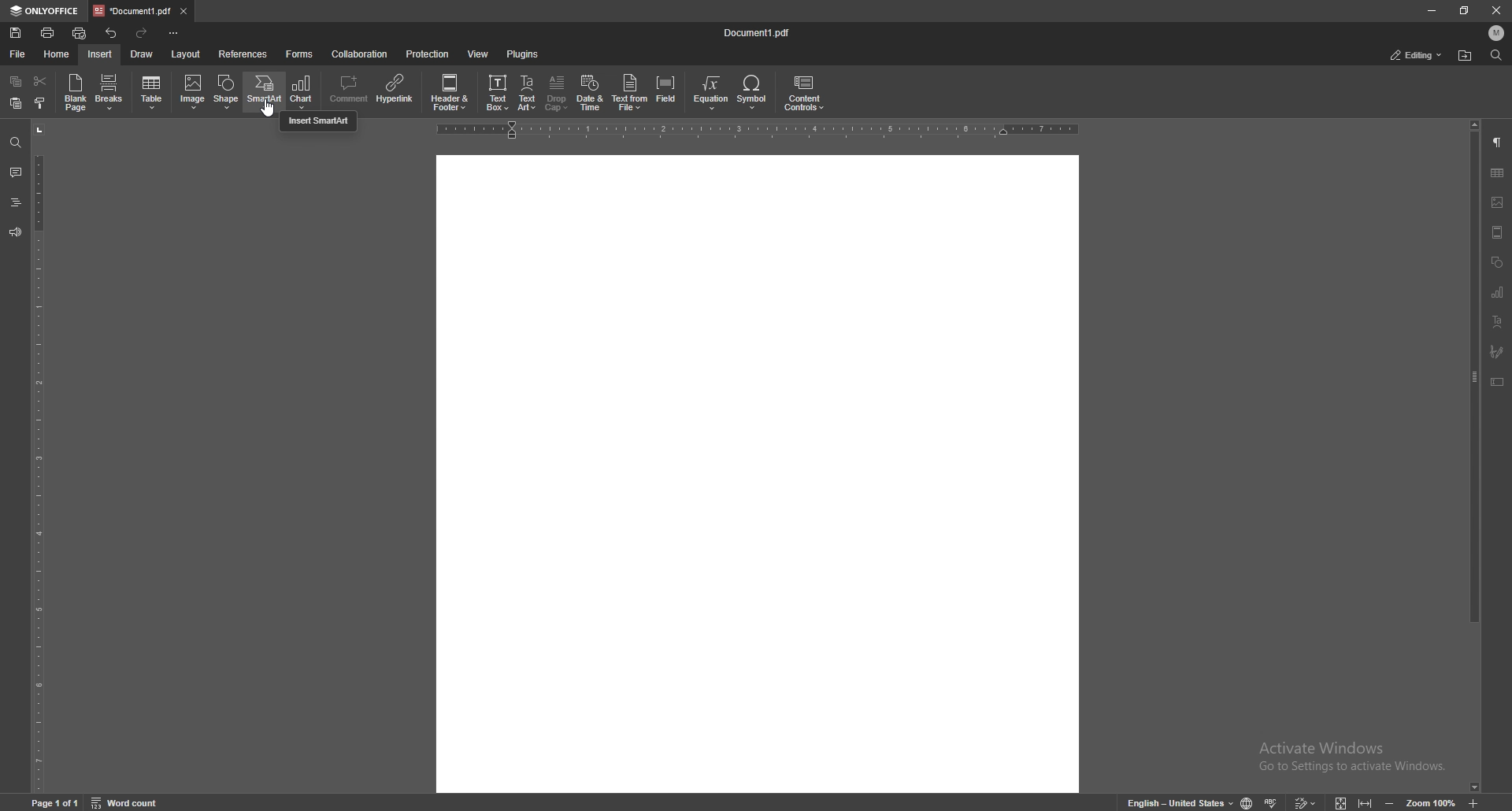  I want to click on field, so click(667, 91).